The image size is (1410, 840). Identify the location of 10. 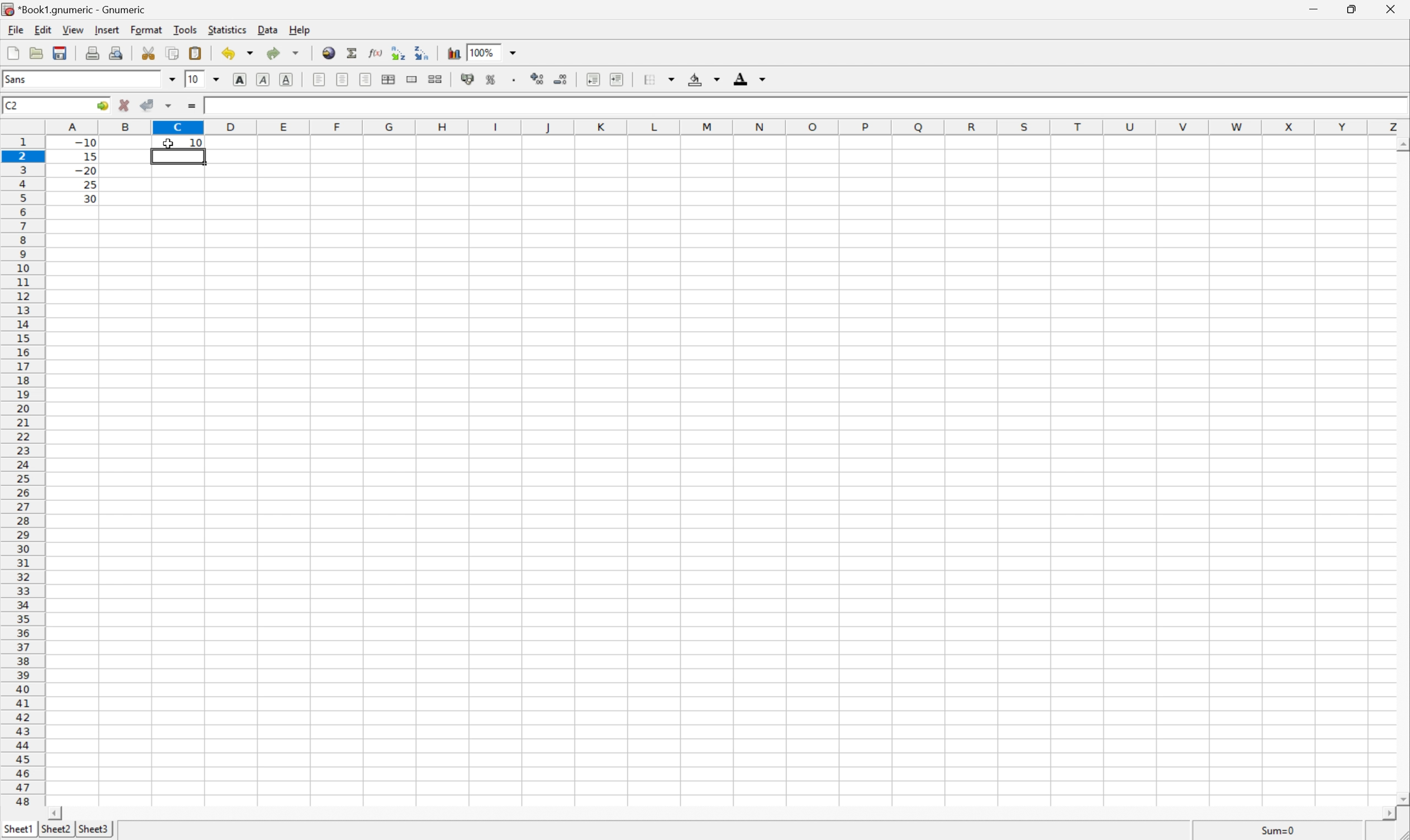
(196, 142).